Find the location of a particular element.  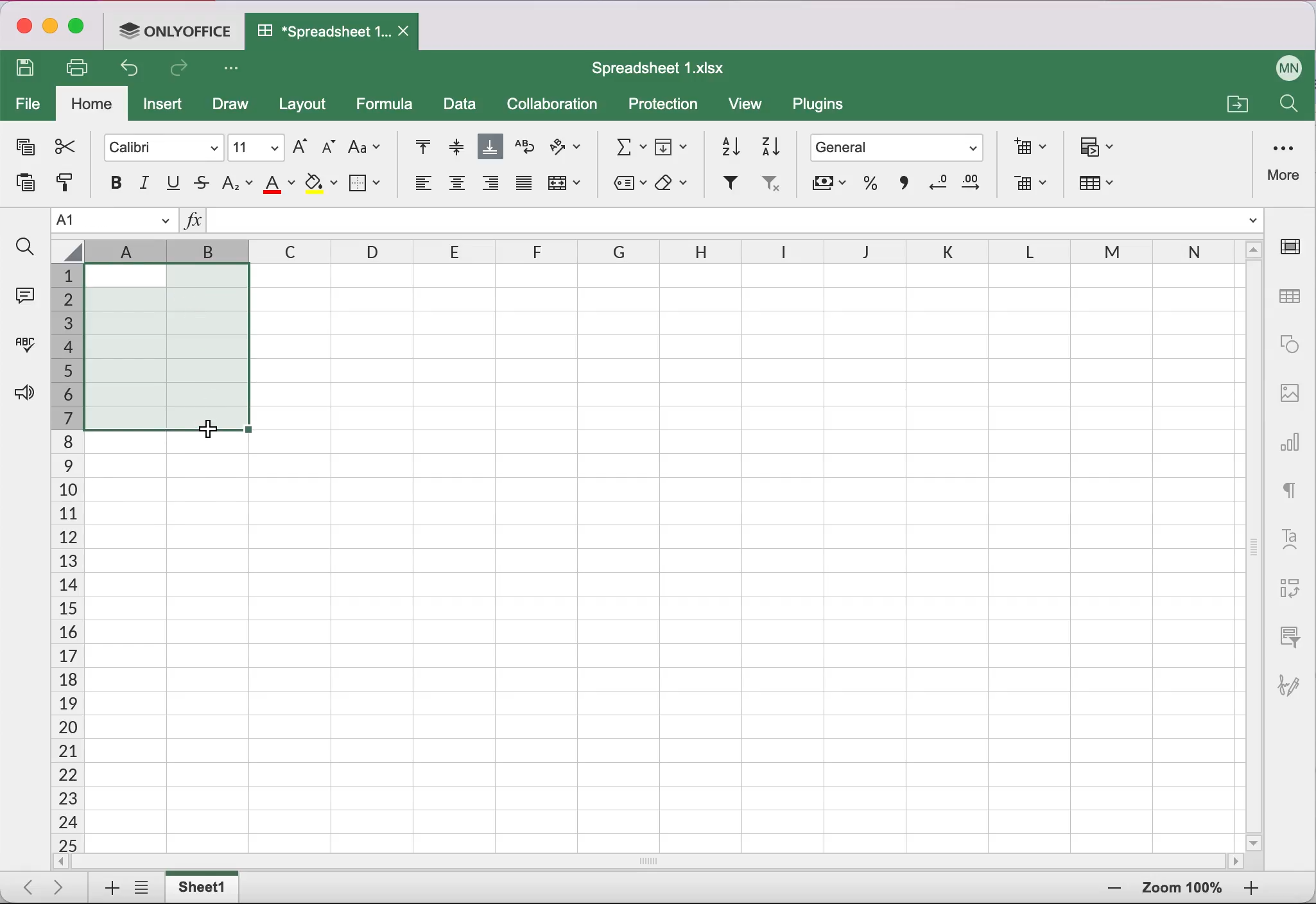

align top is located at coordinates (415, 148).